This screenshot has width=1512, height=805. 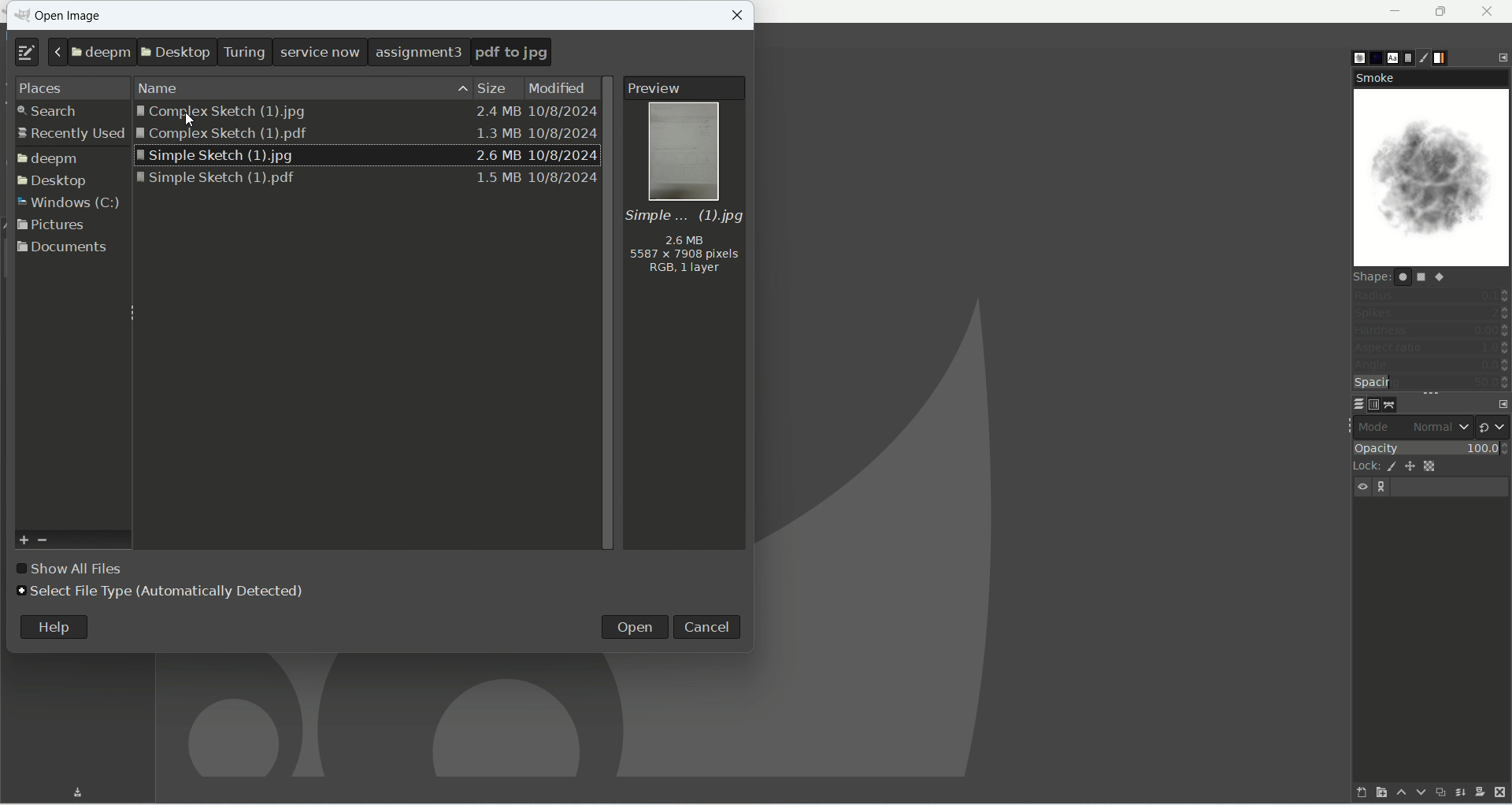 I want to click on lower this layer, so click(x=1421, y=793).